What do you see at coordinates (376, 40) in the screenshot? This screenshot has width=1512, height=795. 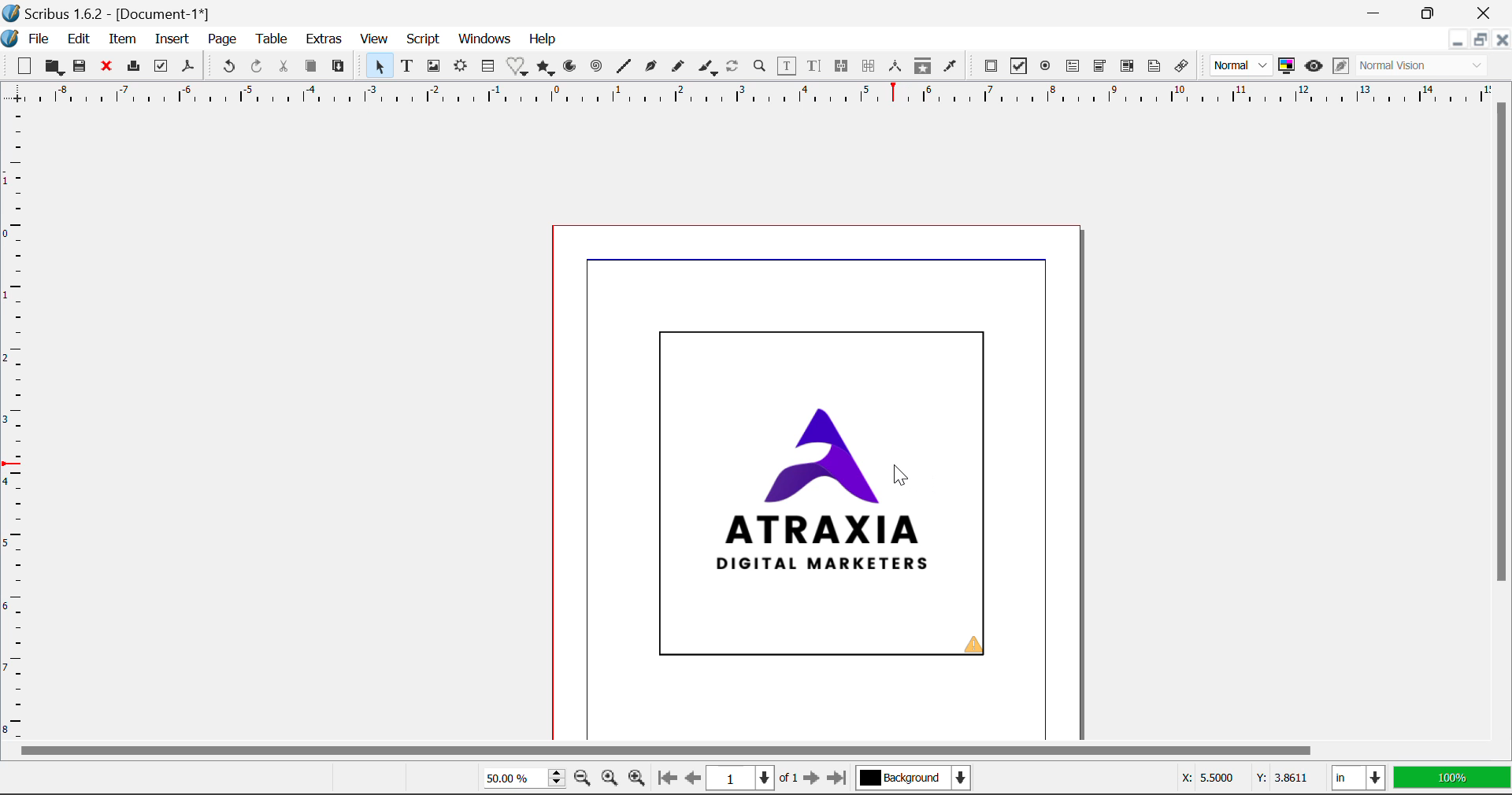 I see `View` at bounding box center [376, 40].